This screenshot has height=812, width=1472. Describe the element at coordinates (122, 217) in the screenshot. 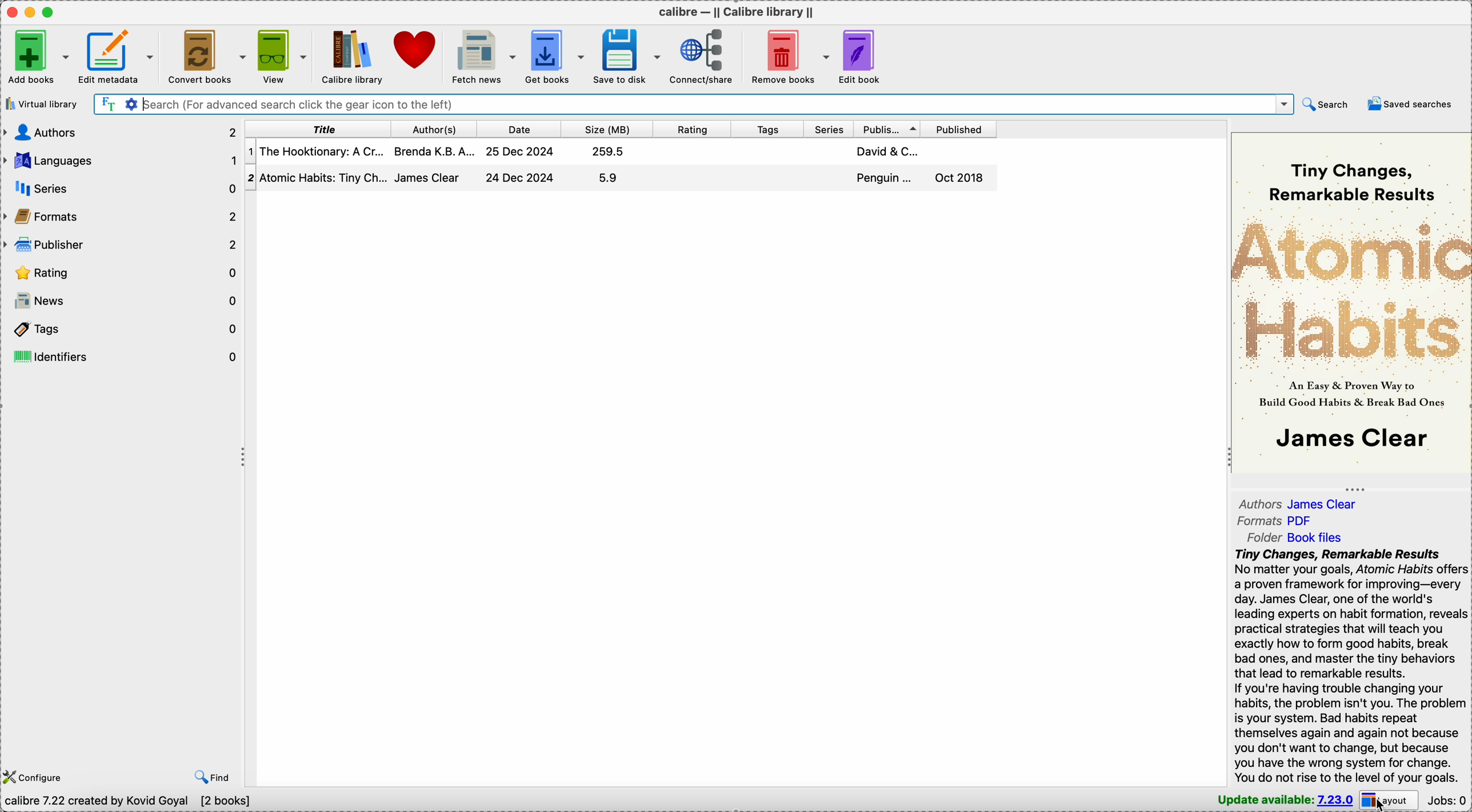

I see `formats` at that location.